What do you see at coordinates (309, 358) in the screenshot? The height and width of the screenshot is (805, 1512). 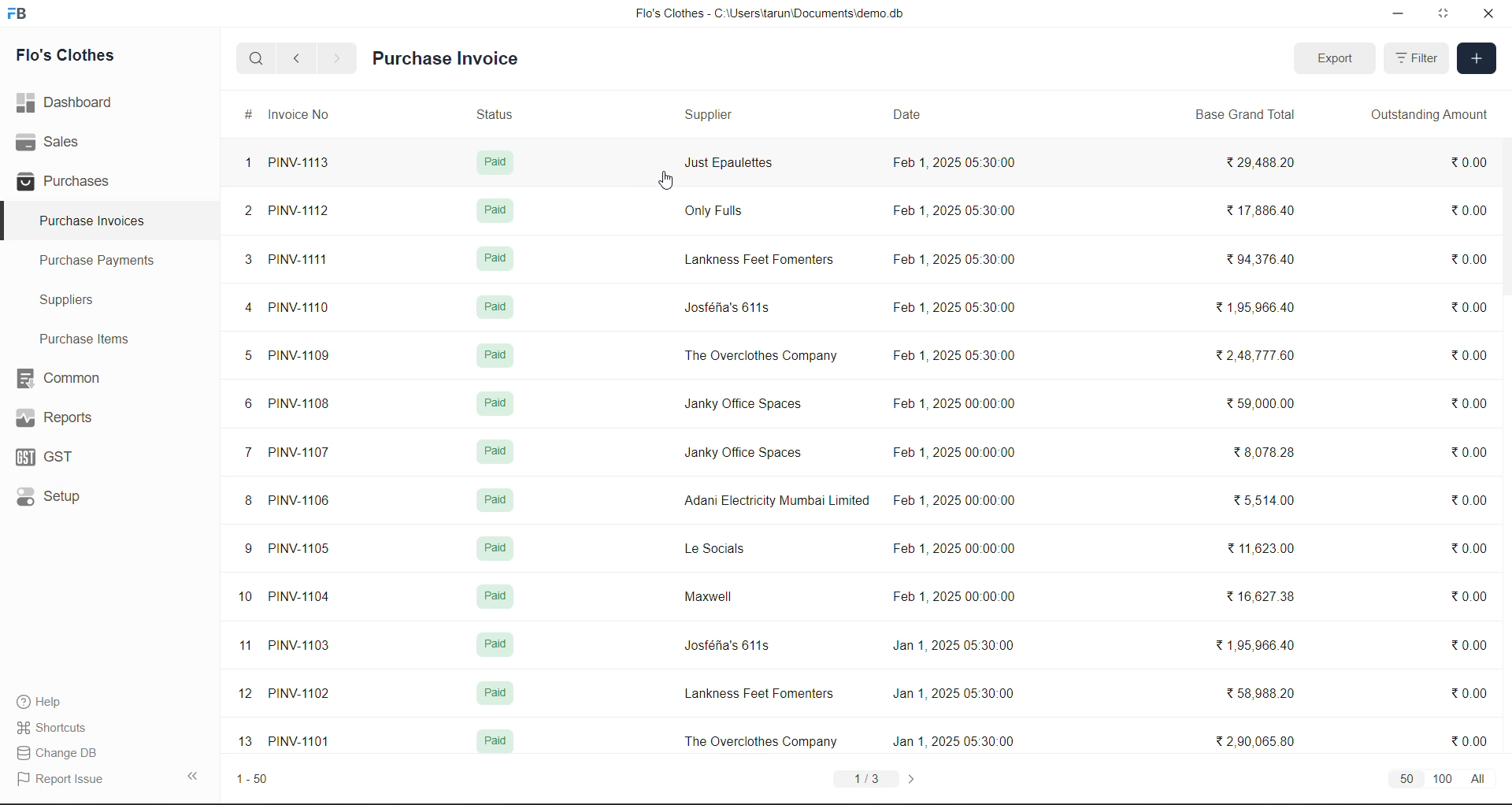 I see `PINV-1109` at bounding box center [309, 358].